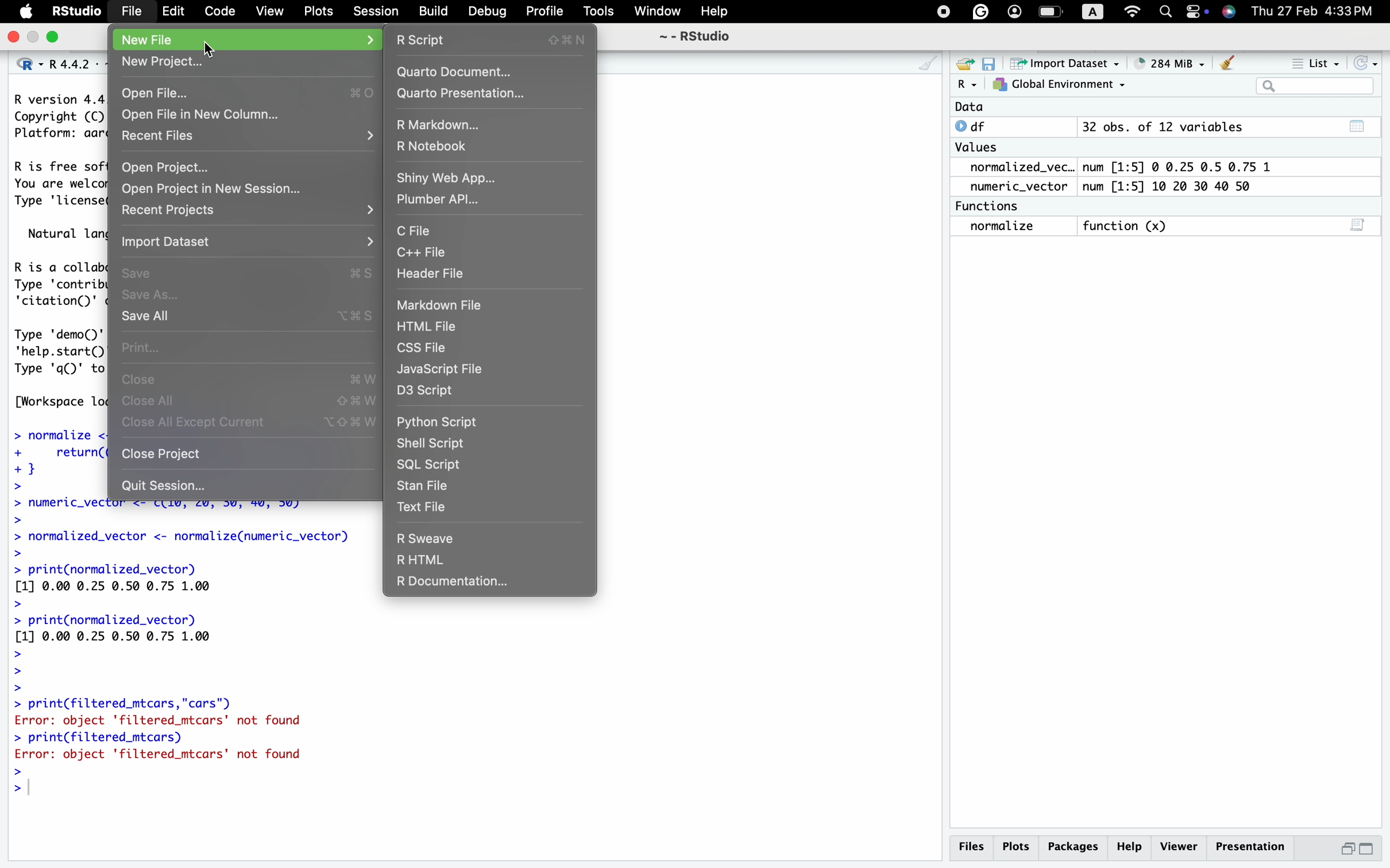 The image size is (1390, 868). What do you see at coordinates (1185, 165) in the screenshot?
I see `num [1:5] © 0.25 0.5 0.75 1` at bounding box center [1185, 165].